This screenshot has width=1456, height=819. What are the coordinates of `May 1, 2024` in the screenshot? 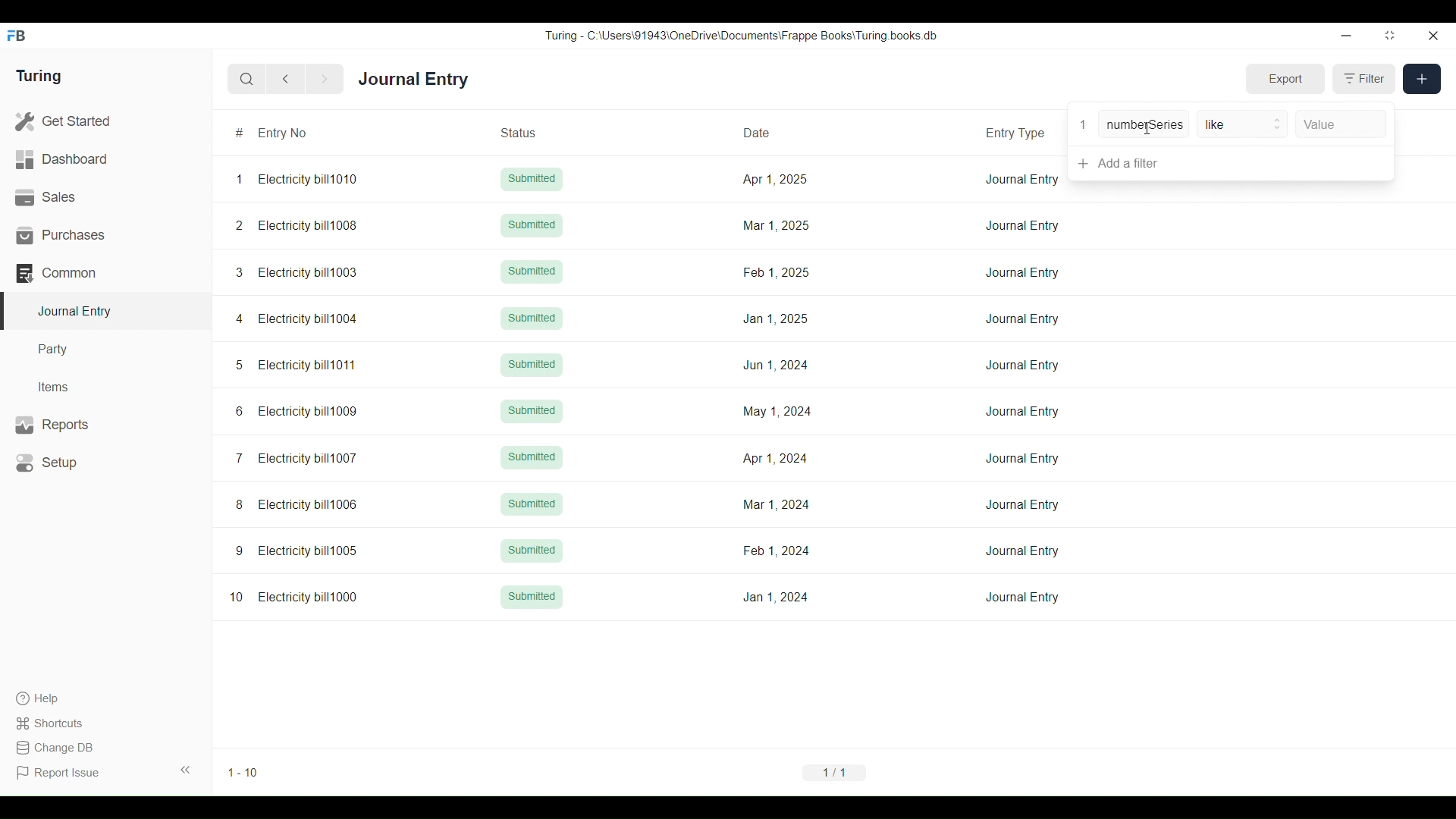 It's located at (777, 410).